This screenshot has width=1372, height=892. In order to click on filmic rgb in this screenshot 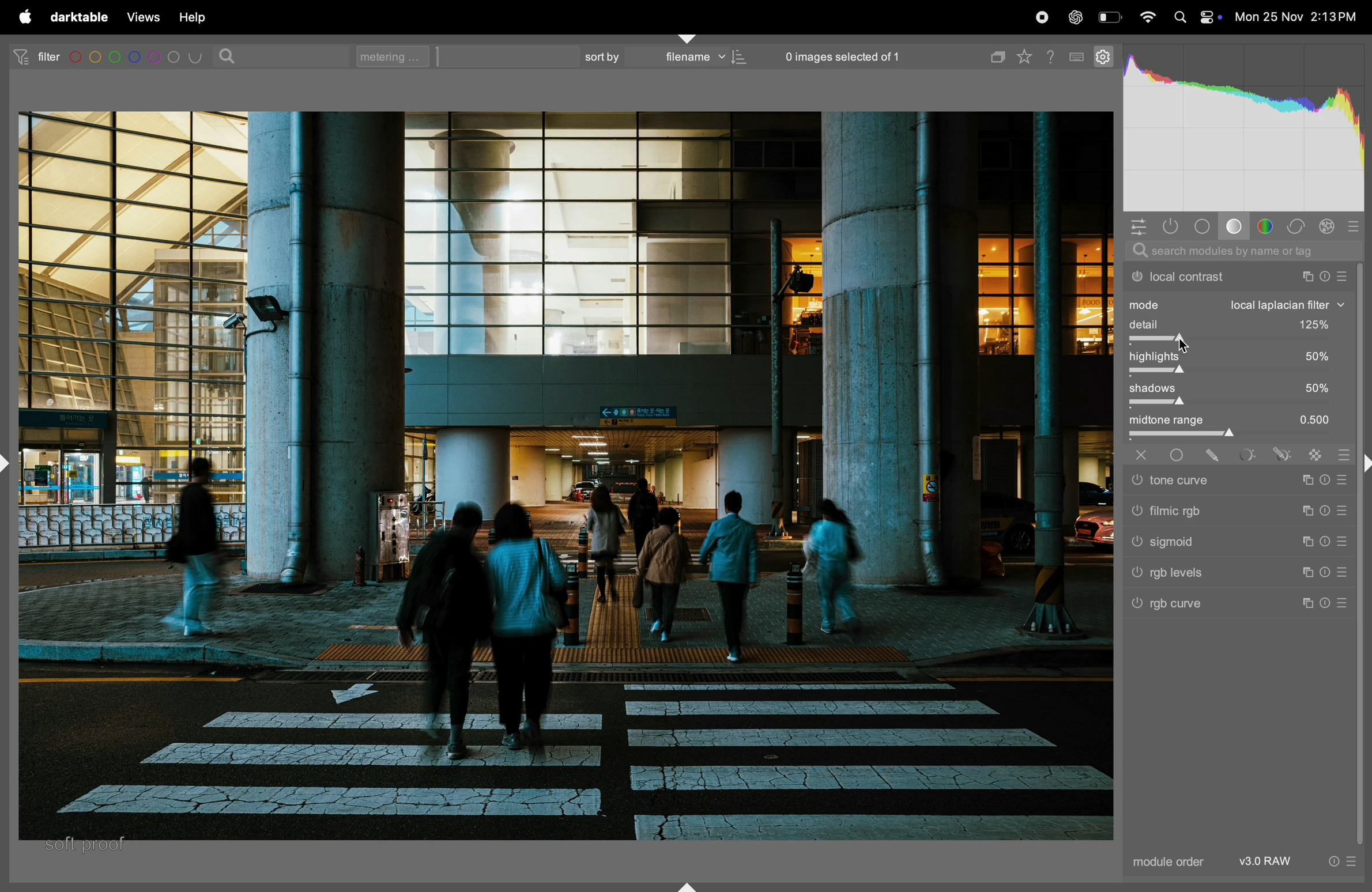, I will do `click(1232, 511)`.